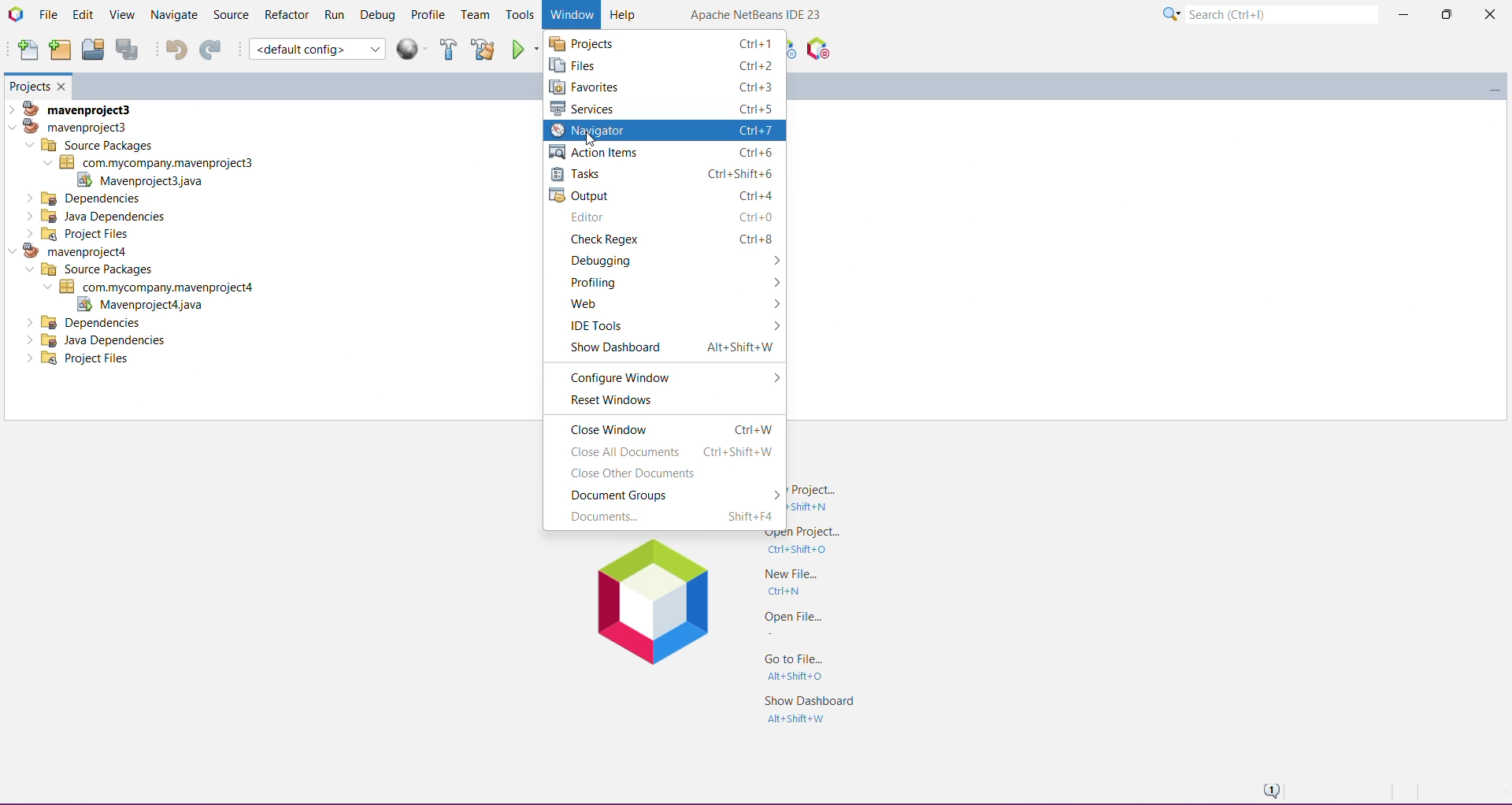 Image resolution: width=1512 pixels, height=805 pixels. I want to click on com.mycompany.mavenproject4, so click(154, 287).